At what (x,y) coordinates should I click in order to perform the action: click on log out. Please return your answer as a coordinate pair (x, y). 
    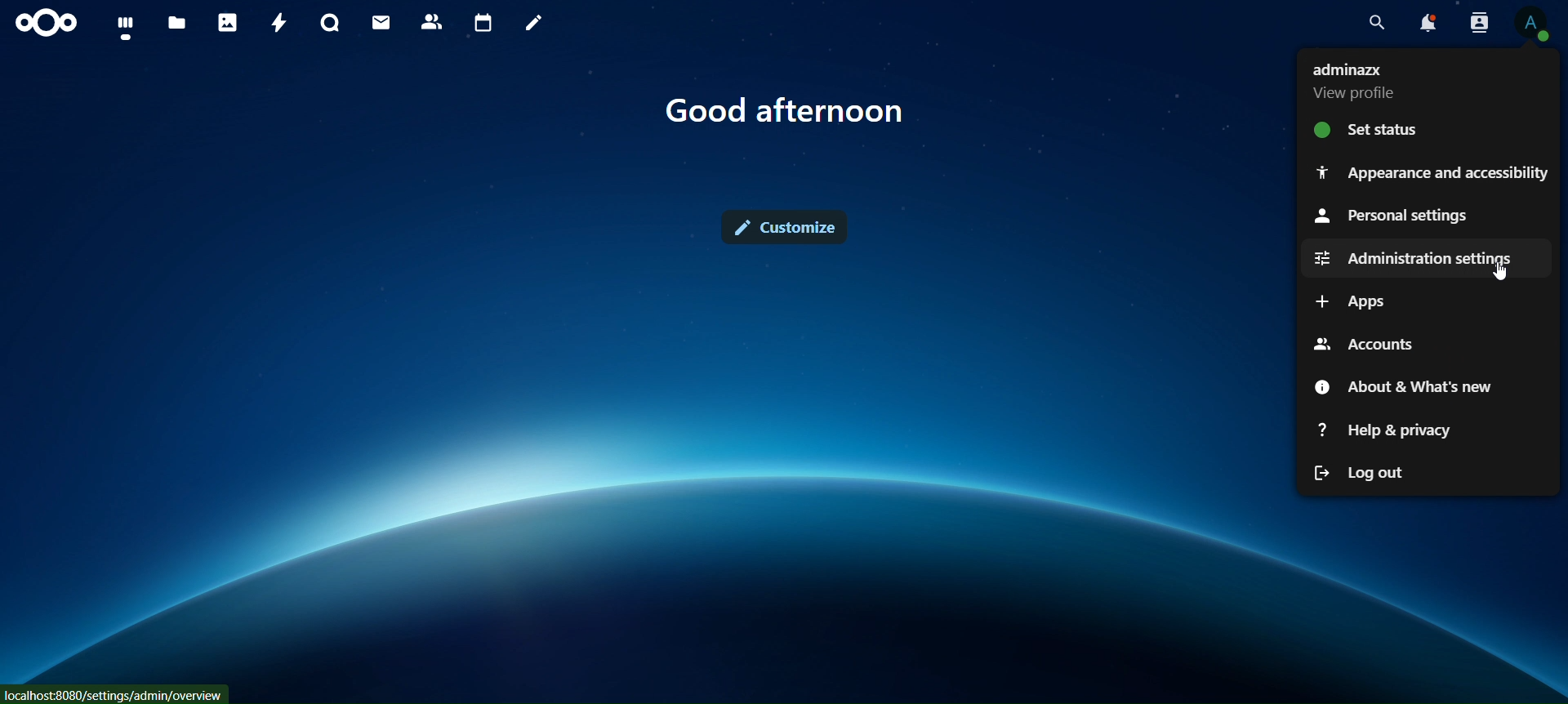
    Looking at the image, I should click on (1361, 471).